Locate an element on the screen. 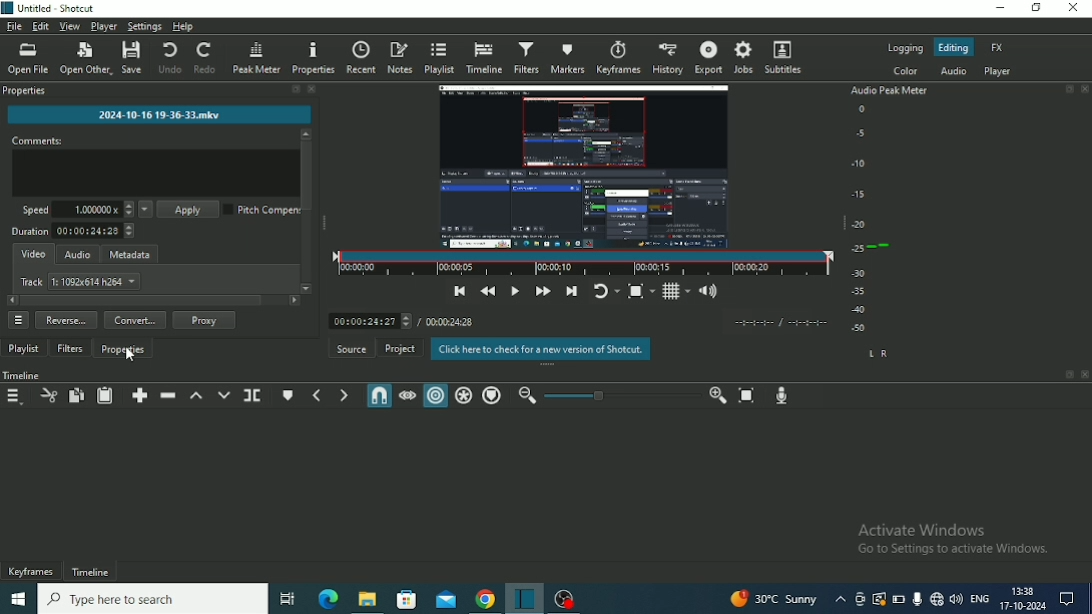 Image resolution: width=1092 pixels, height=614 pixels. Close is located at coordinates (1072, 7).